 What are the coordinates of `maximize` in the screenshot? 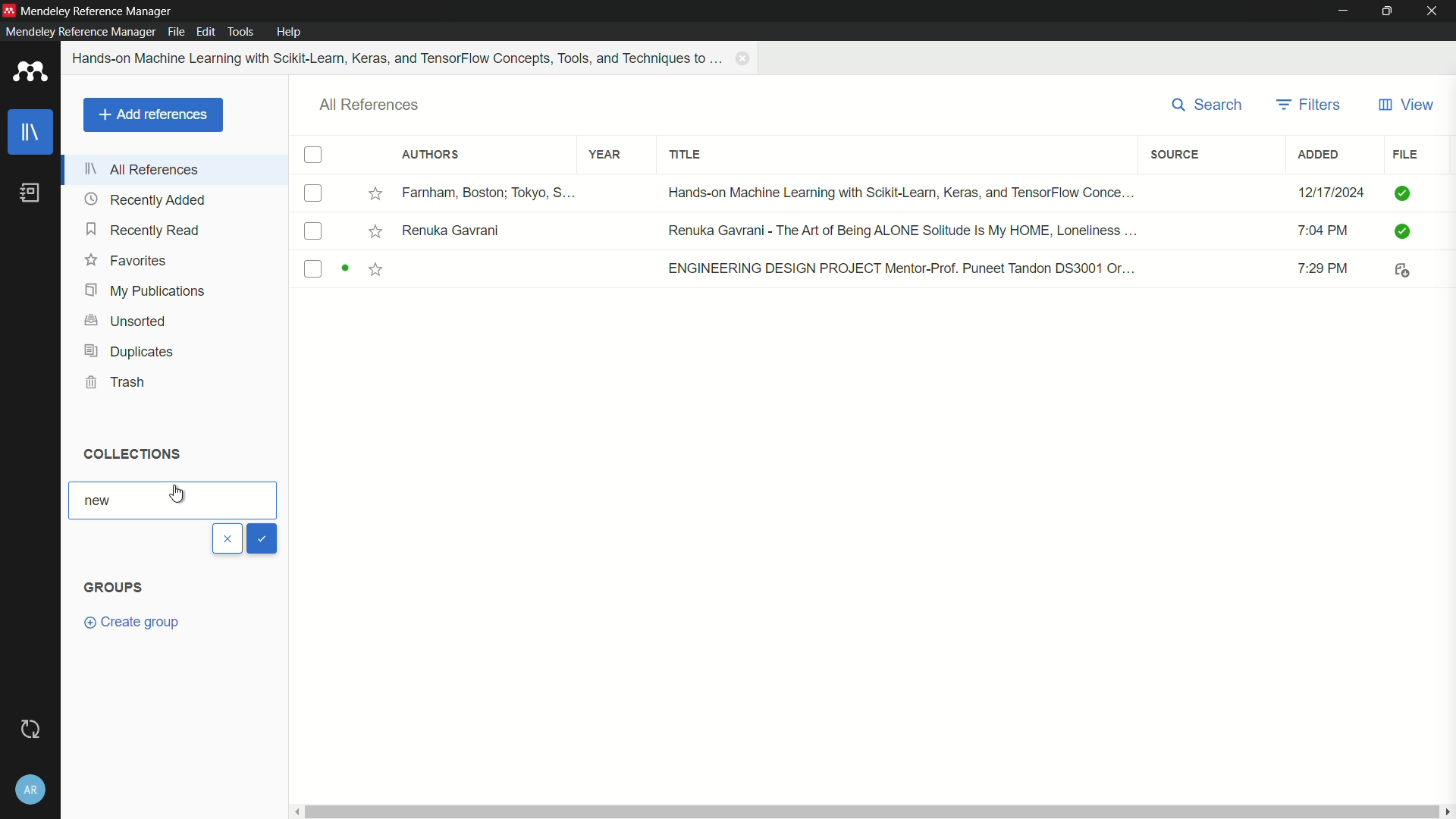 It's located at (1391, 11).